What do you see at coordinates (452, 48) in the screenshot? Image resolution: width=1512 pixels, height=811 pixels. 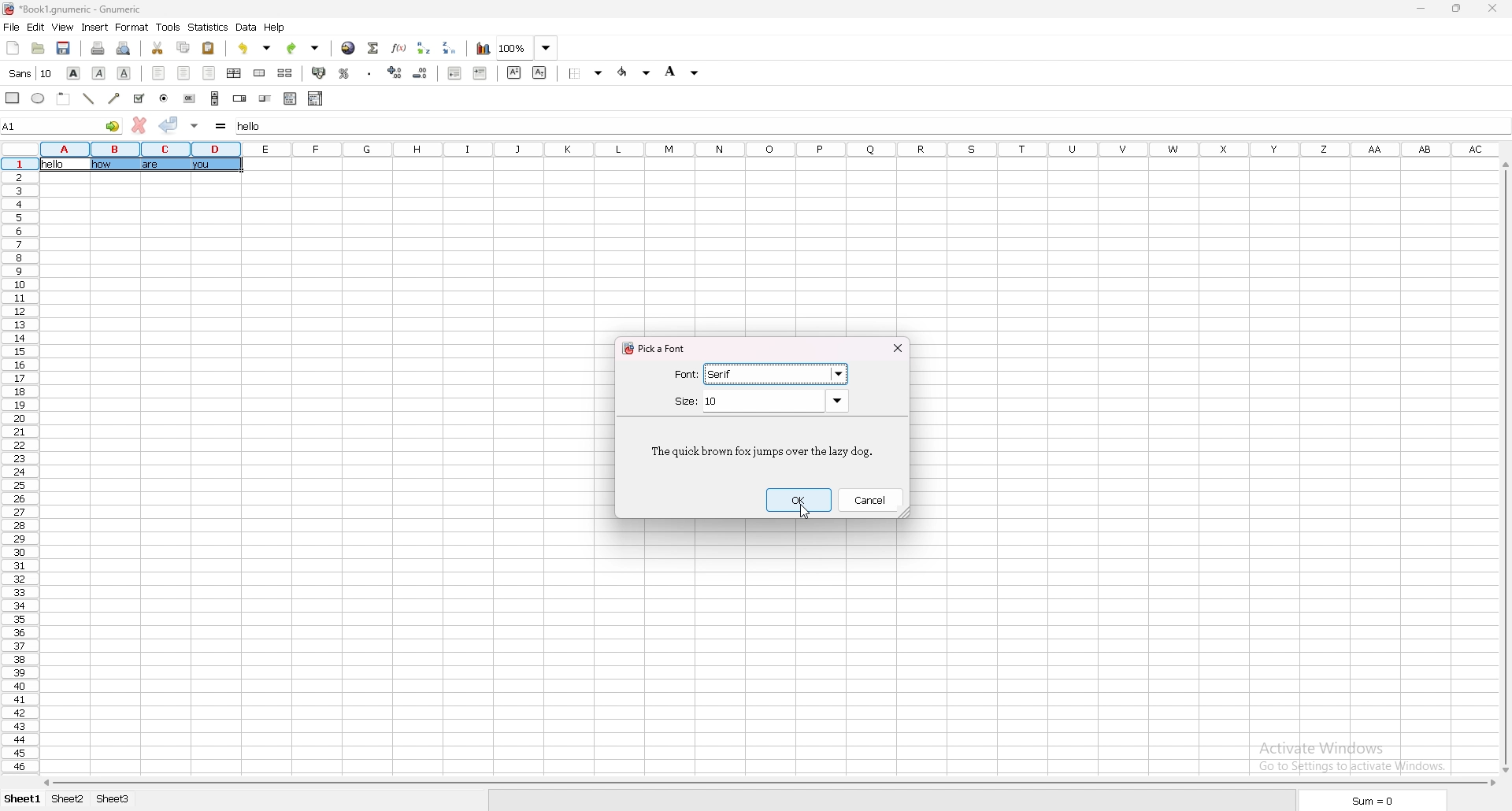 I see `sort descending` at bounding box center [452, 48].